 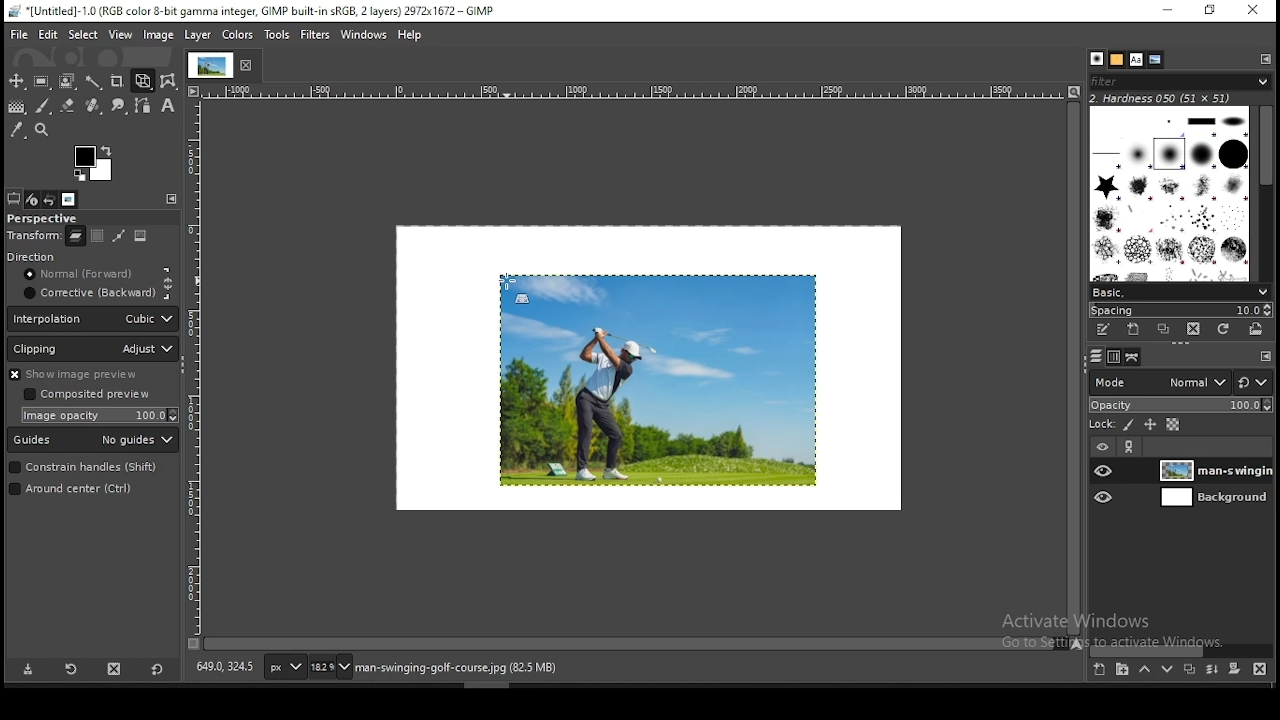 I want to click on delete layer, so click(x=1260, y=668).